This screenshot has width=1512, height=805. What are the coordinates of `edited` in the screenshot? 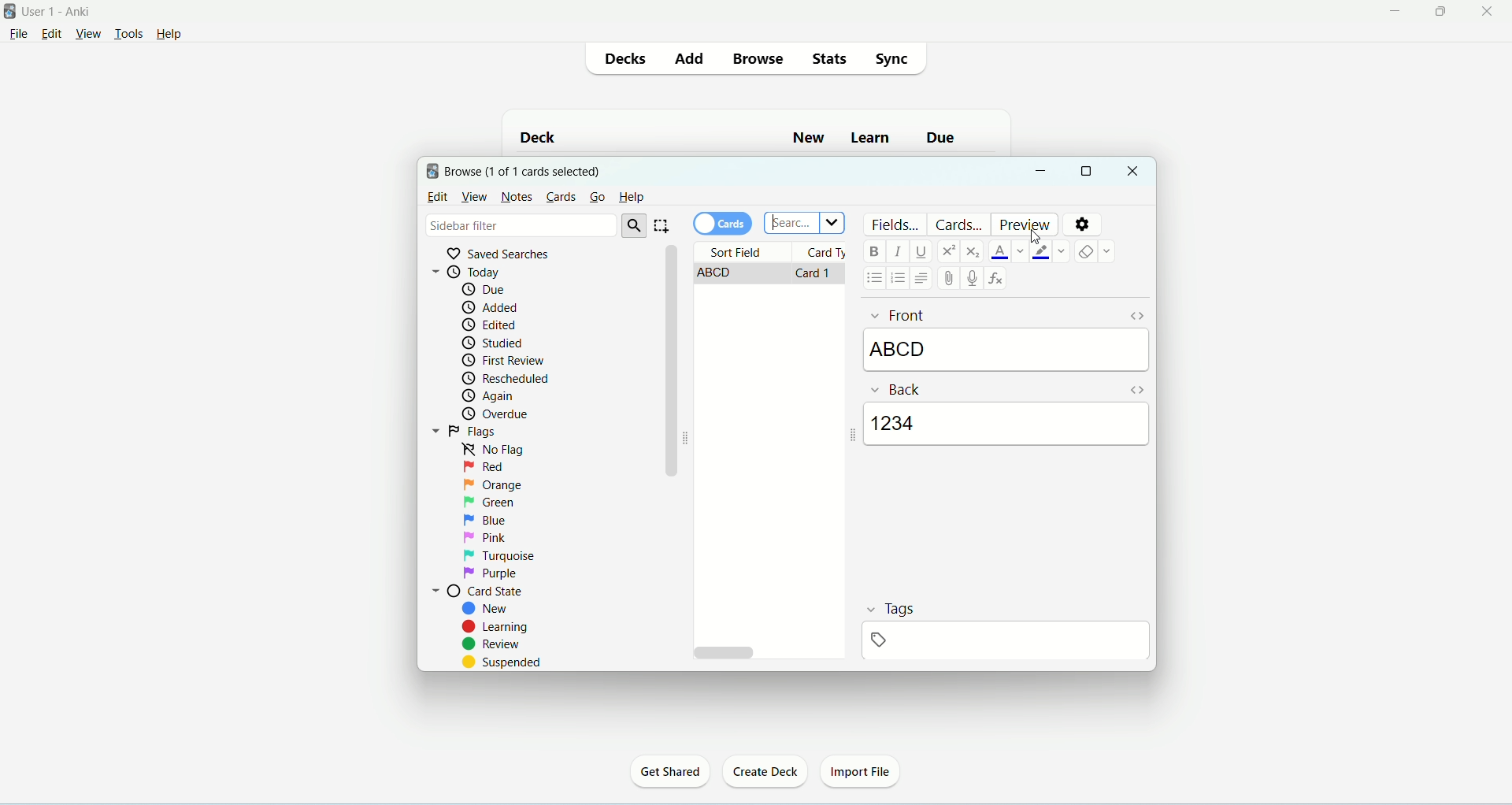 It's located at (491, 325).